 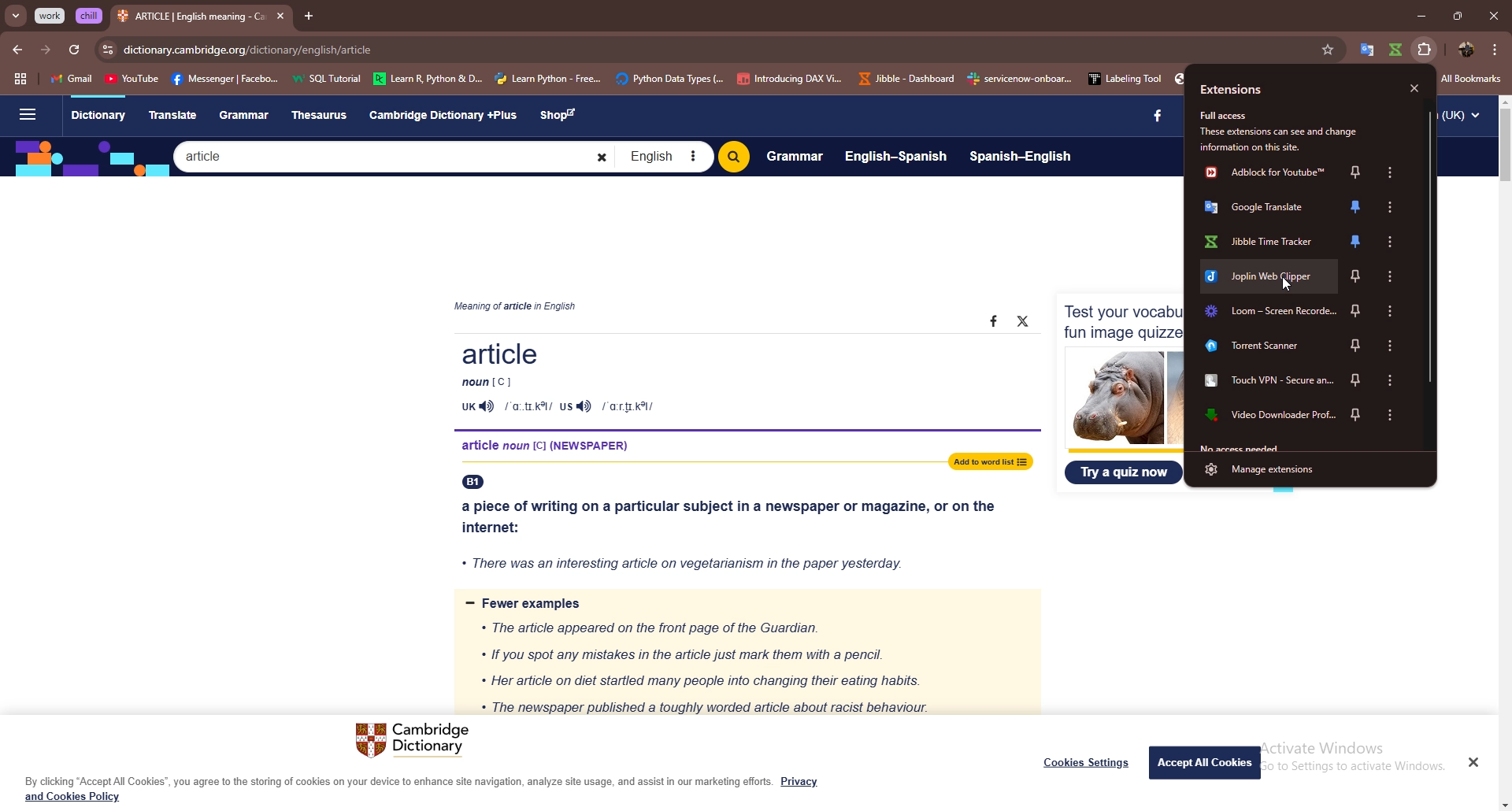 What do you see at coordinates (1388, 208) in the screenshot?
I see `option` at bounding box center [1388, 208].